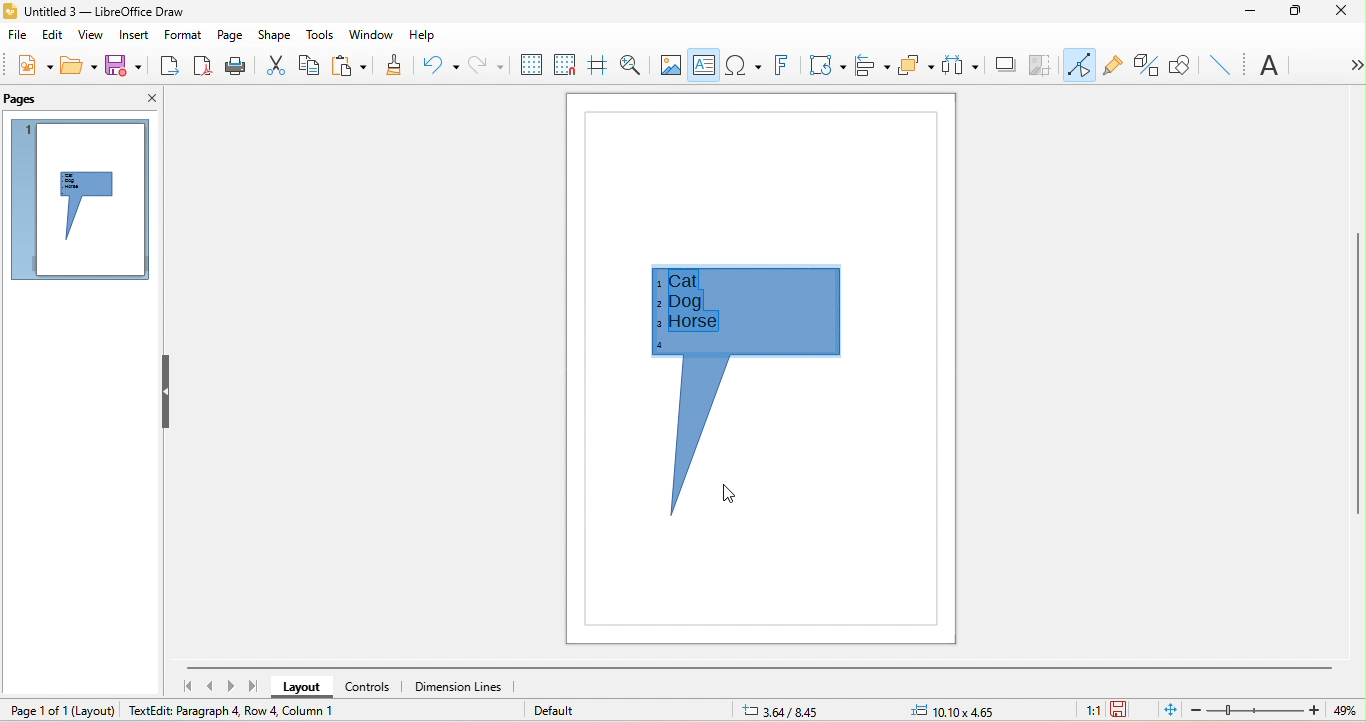 This screenshot has height=722, width=1366. I want to click on gluepoint function, so click(1112, 68).